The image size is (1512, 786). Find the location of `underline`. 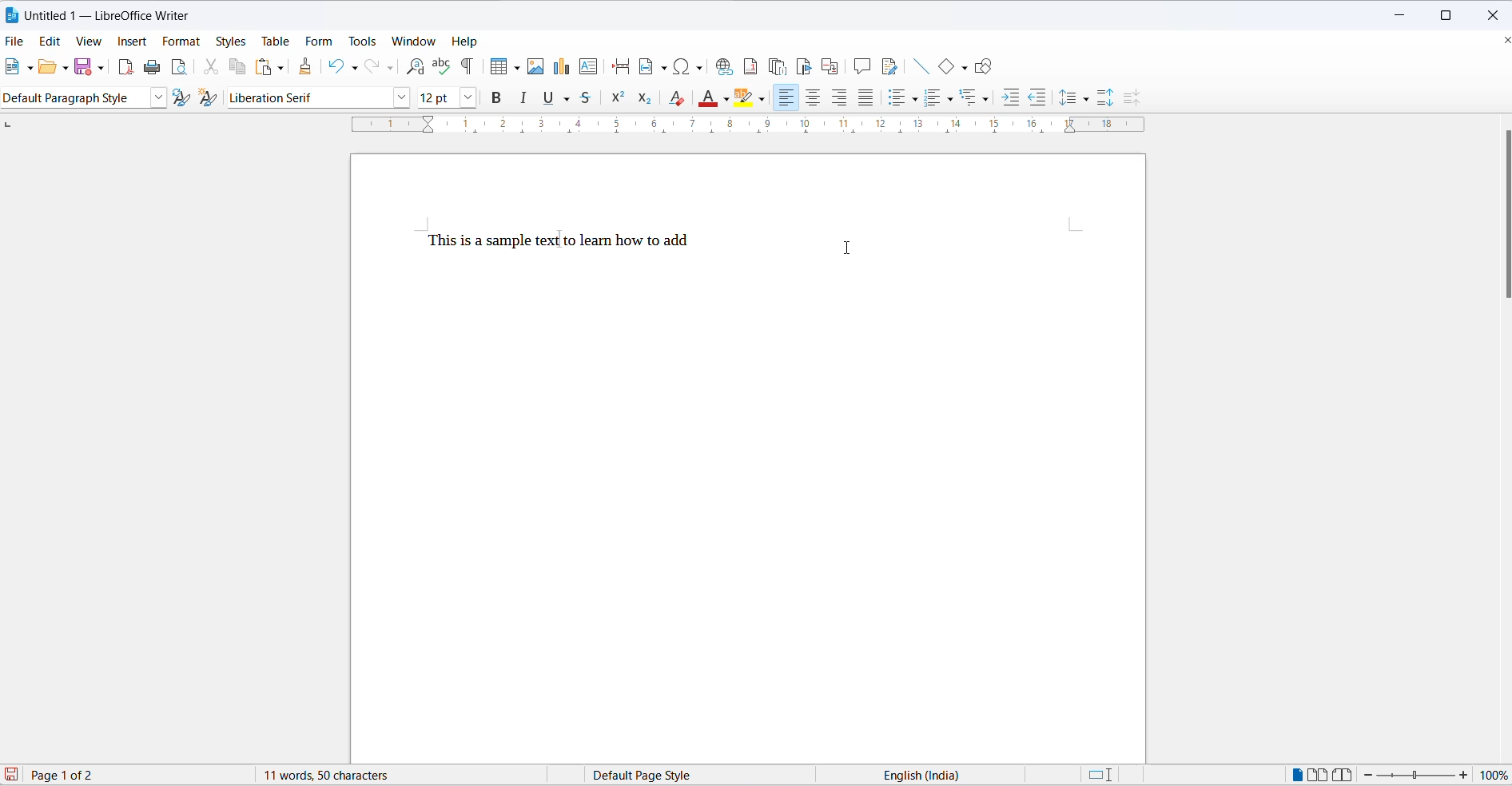

underline is located at coordinates (550, 99).